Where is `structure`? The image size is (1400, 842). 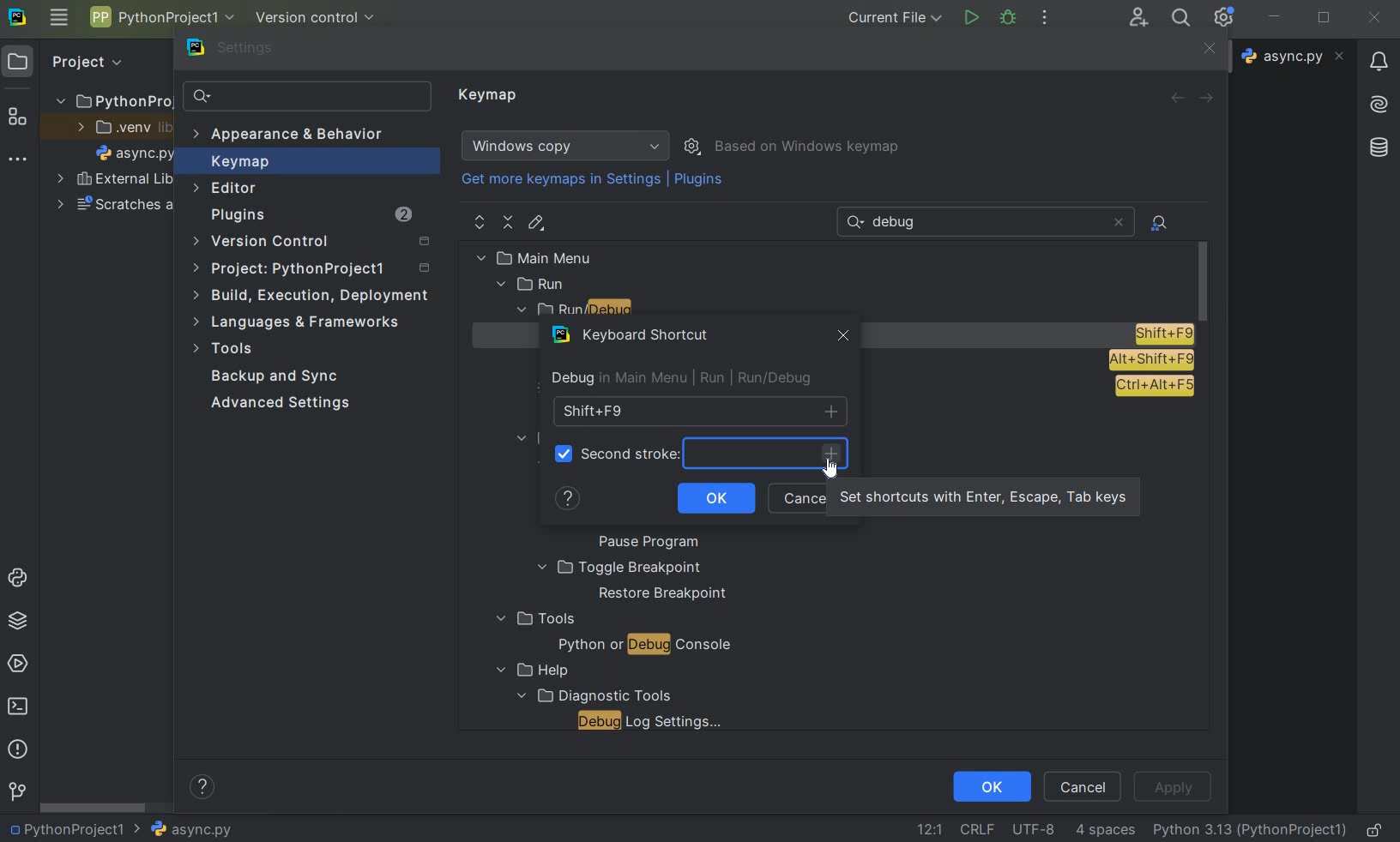
structure is located at coordinates (18, 118).